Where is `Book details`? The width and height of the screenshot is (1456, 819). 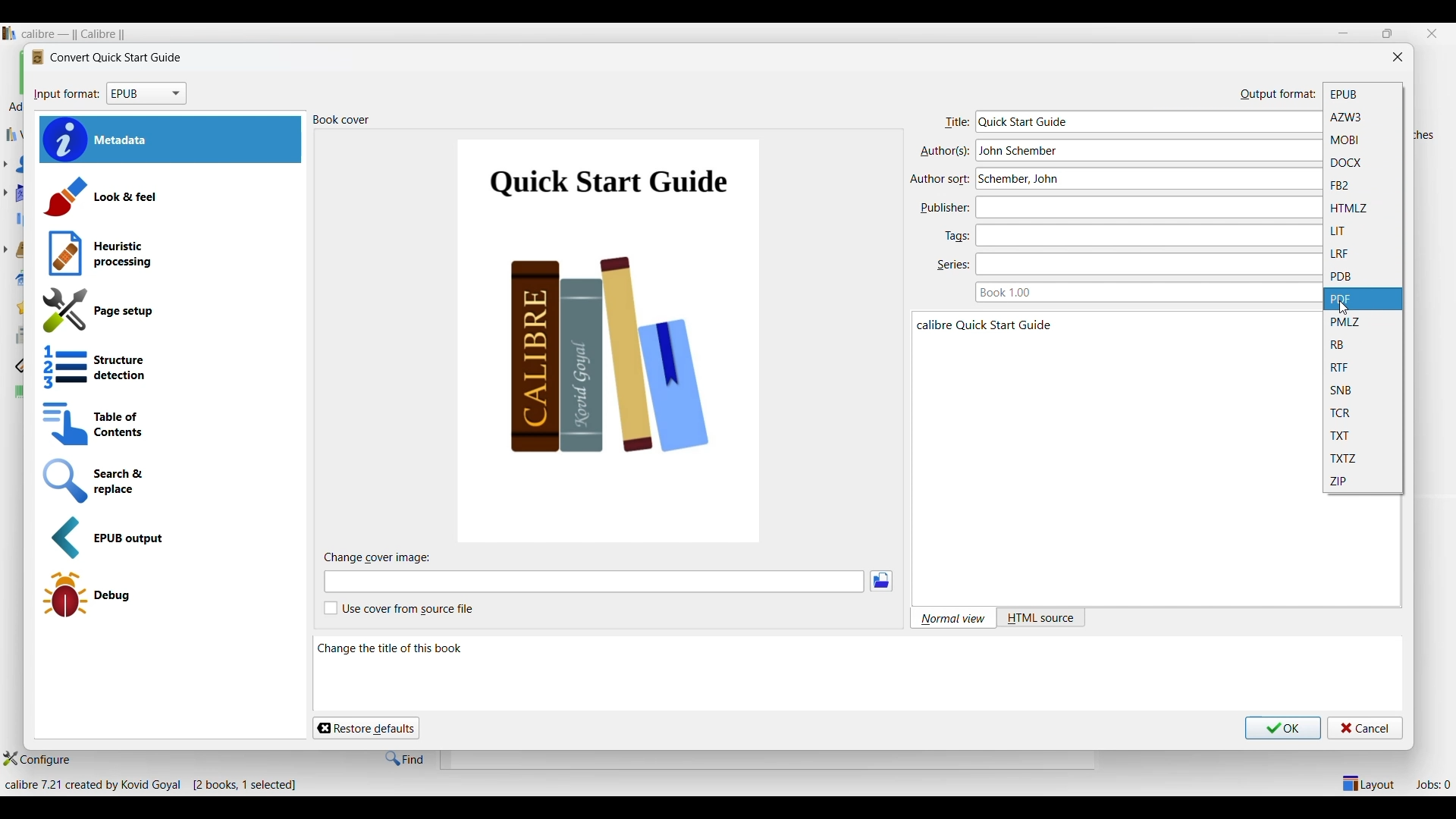
Book details is located at coordinates (1114, 460).